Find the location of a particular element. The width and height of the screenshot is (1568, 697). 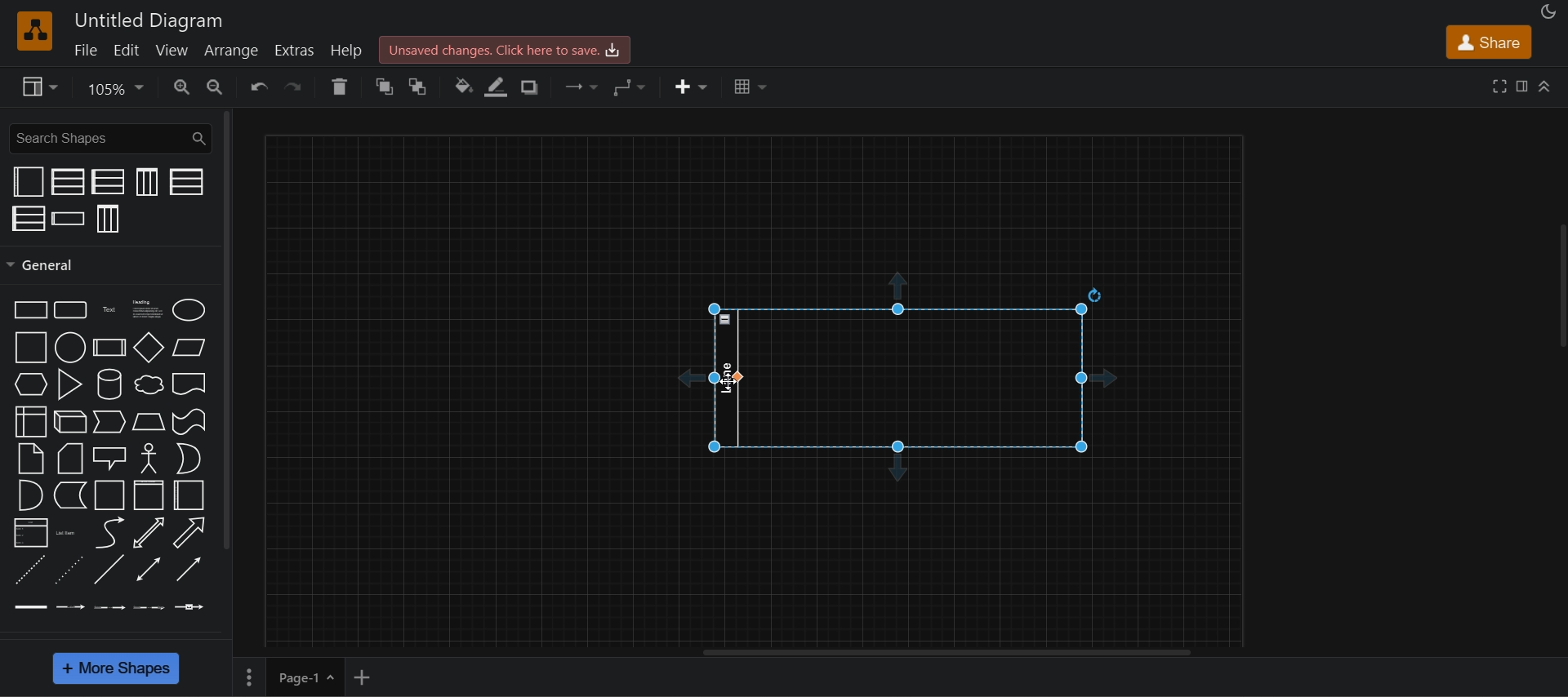

and is located at coordinates (29, 495).